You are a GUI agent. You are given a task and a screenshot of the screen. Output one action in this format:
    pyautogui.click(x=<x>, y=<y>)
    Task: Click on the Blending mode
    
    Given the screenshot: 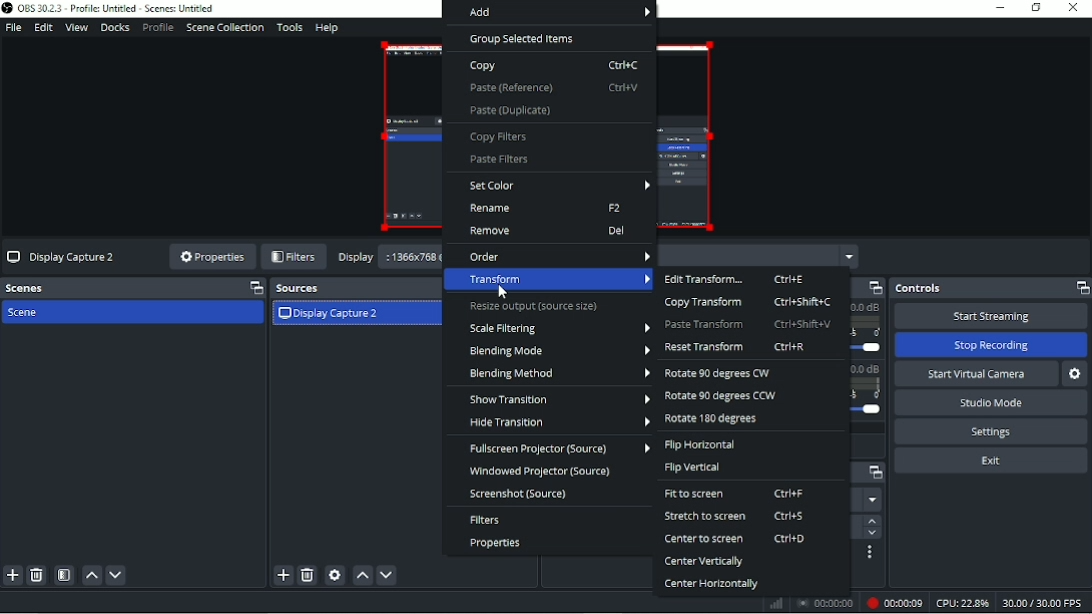 What is the action you would take?
    pyautogui.click(x=558, y=350)
    